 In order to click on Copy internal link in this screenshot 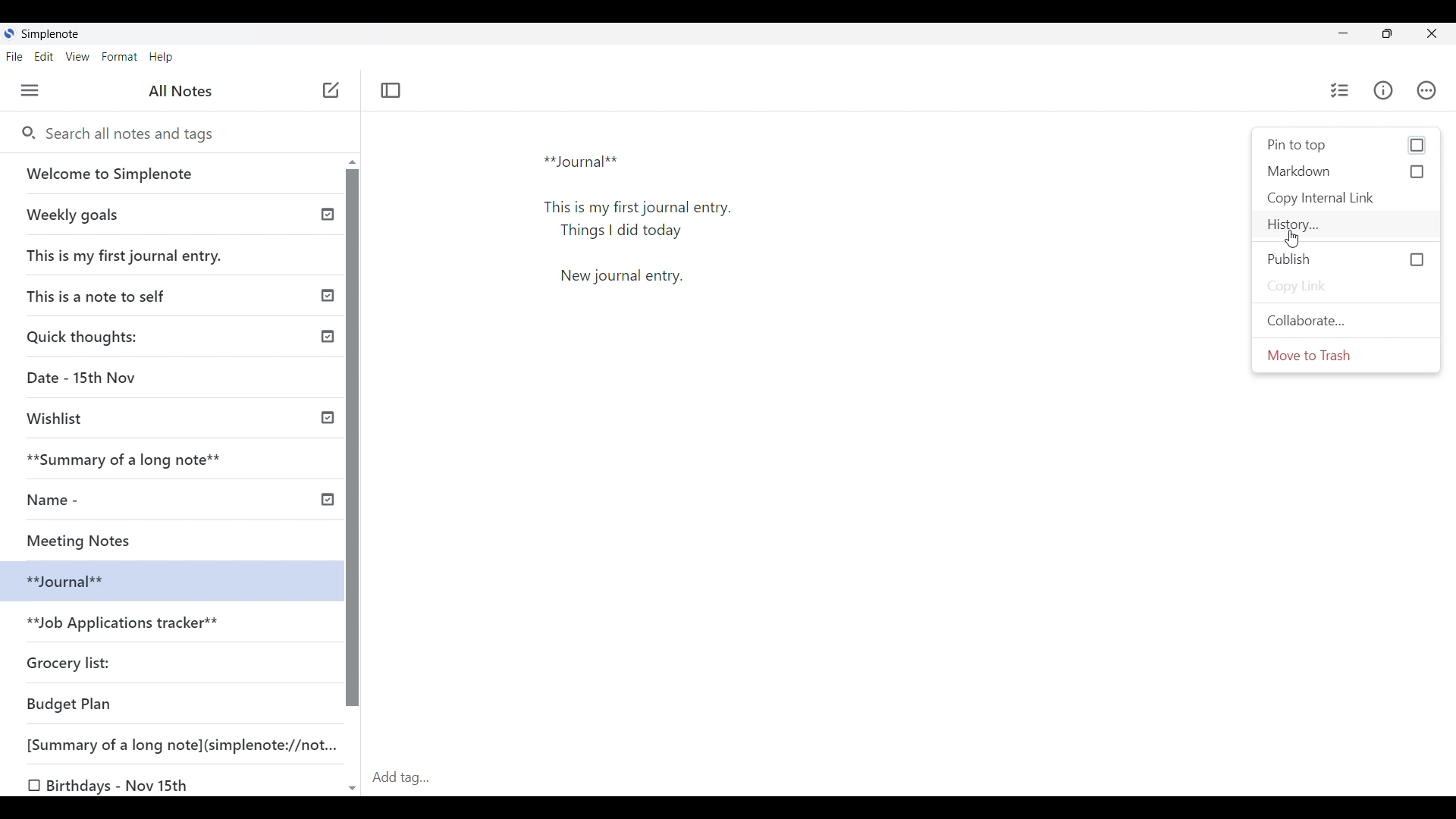, I will do `click(1345, 199)`.